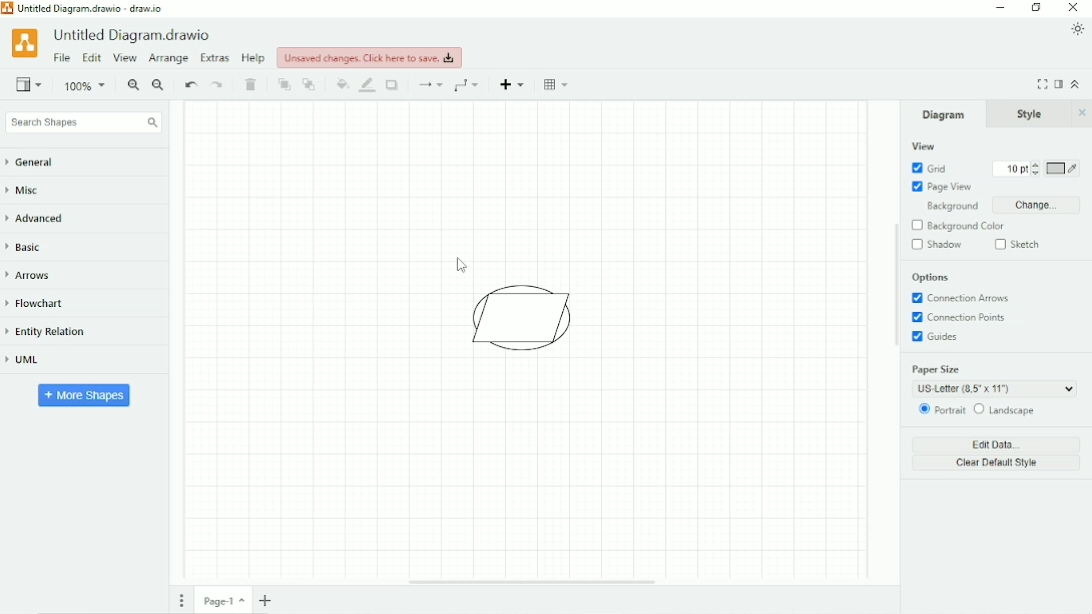 The image size is (1092, 614). What do you see at coordinates (938, 338) in the screenshot?
I see `Guides` at bounding box center [938, 338].